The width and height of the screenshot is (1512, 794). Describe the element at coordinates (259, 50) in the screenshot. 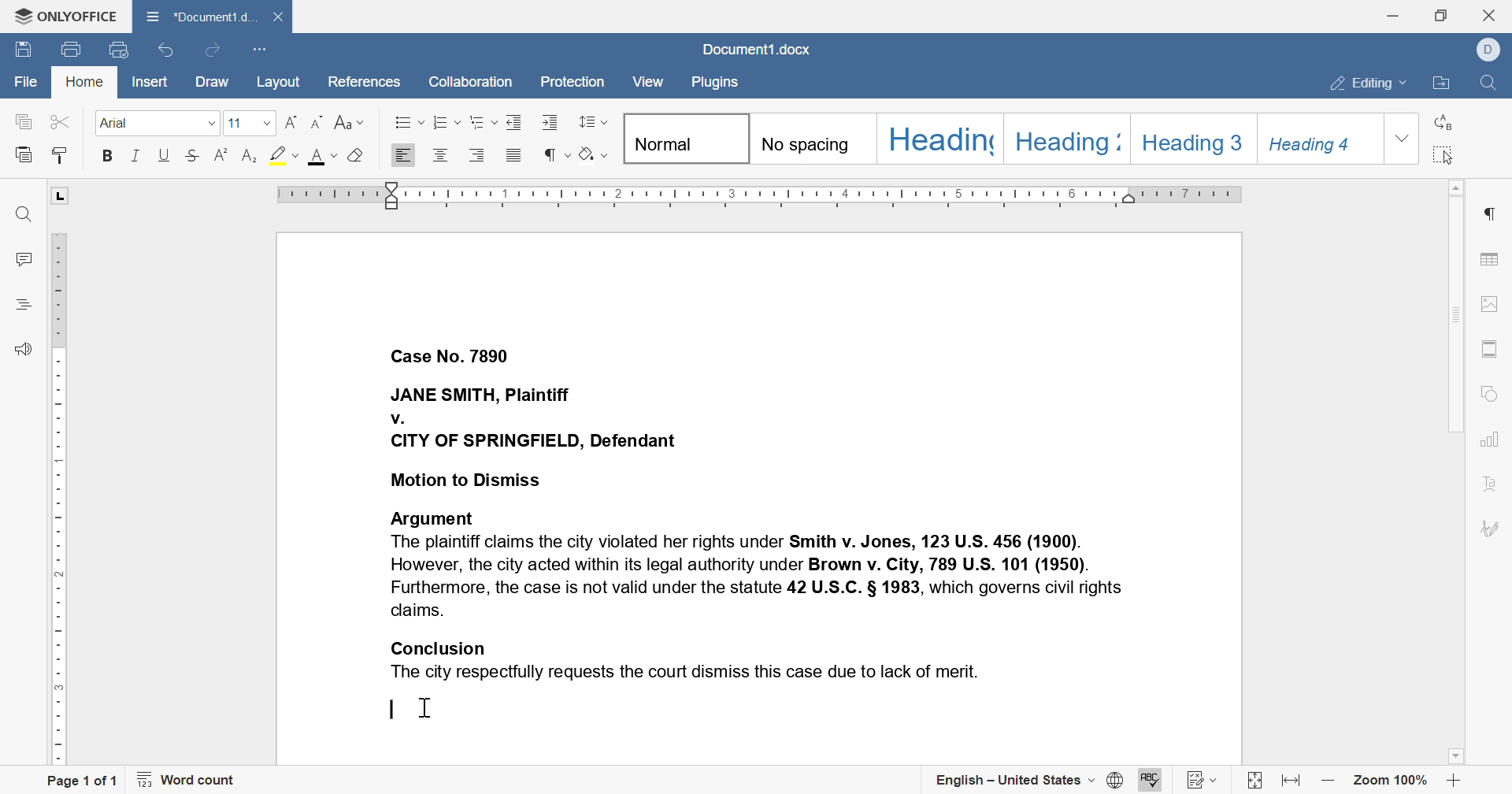

I see `customize quick access toolbar` at that location.